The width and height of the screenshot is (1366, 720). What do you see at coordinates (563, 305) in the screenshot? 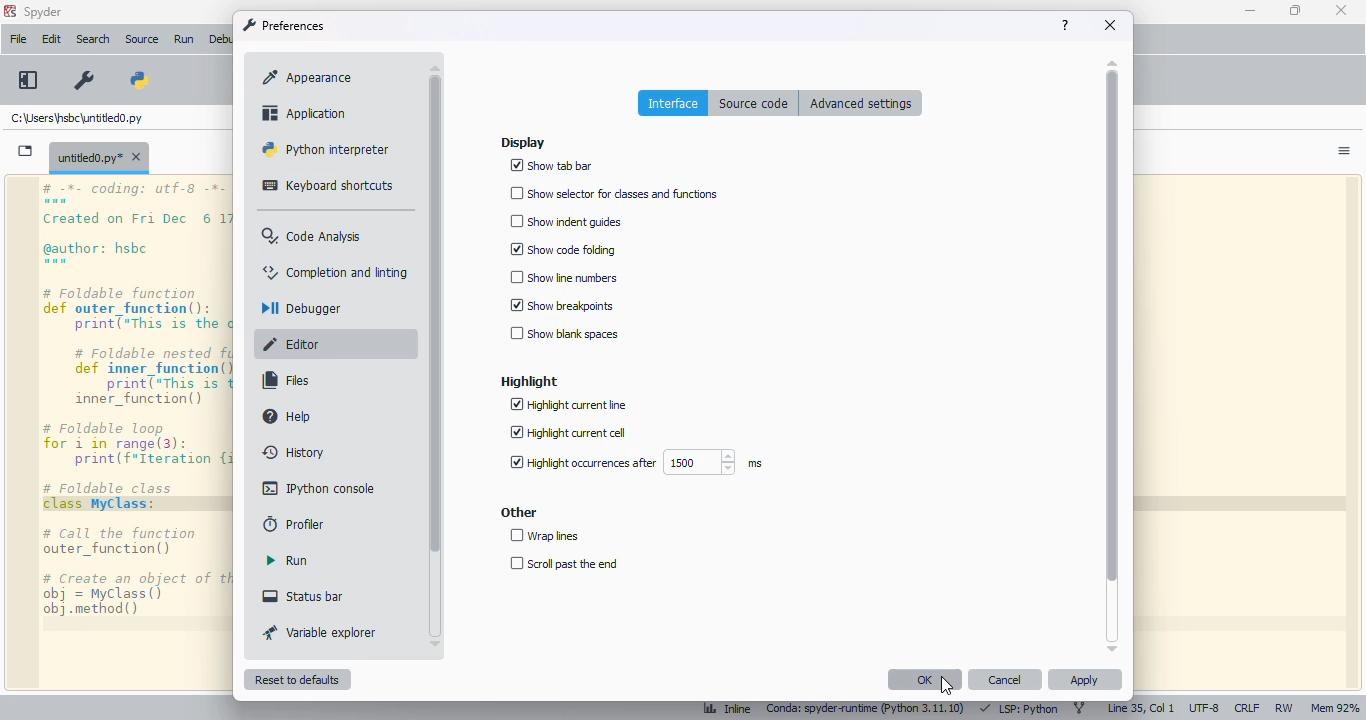
I see `show breakpoints` at bounding box center [563, 305].